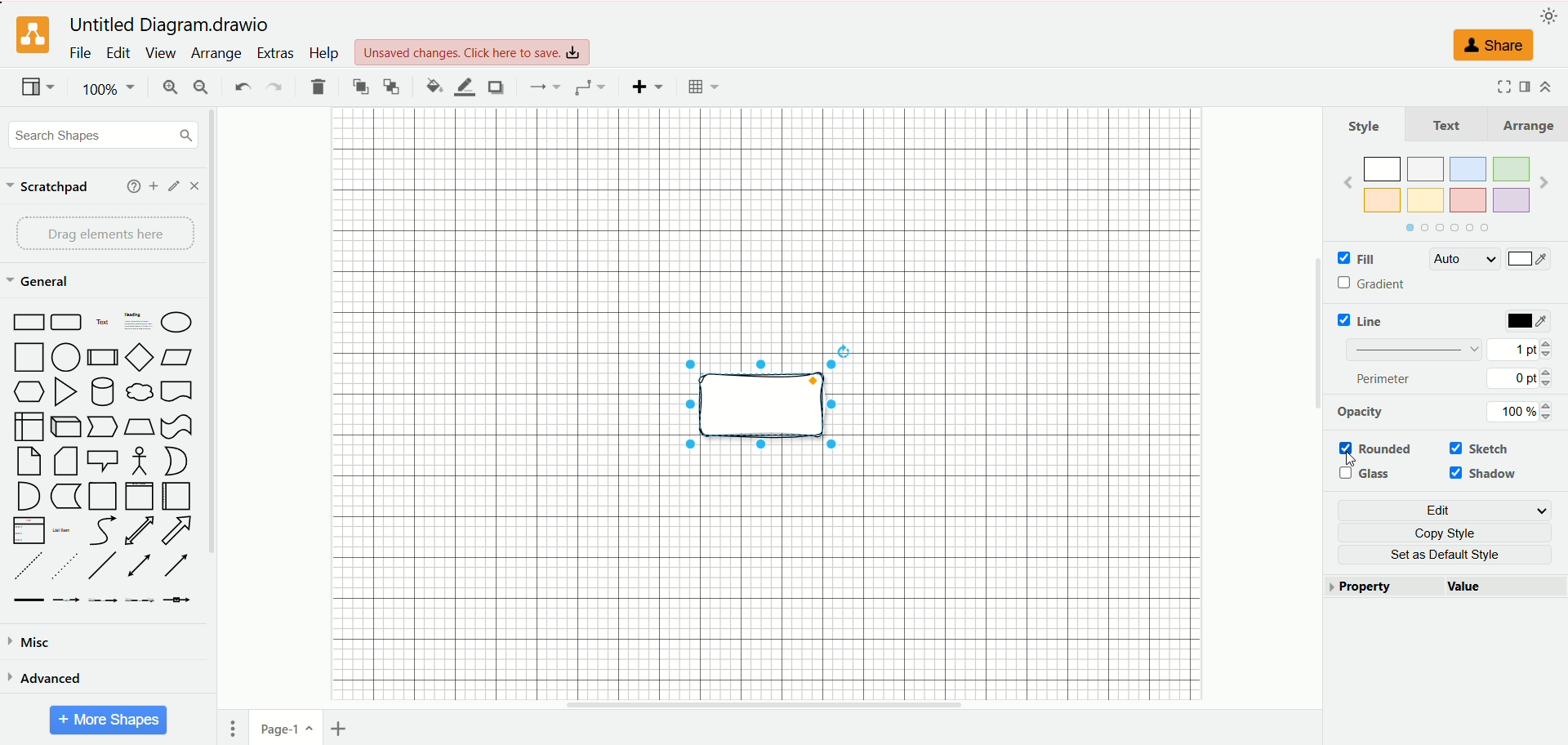  I want to click on arrange, so click(1526, 125).